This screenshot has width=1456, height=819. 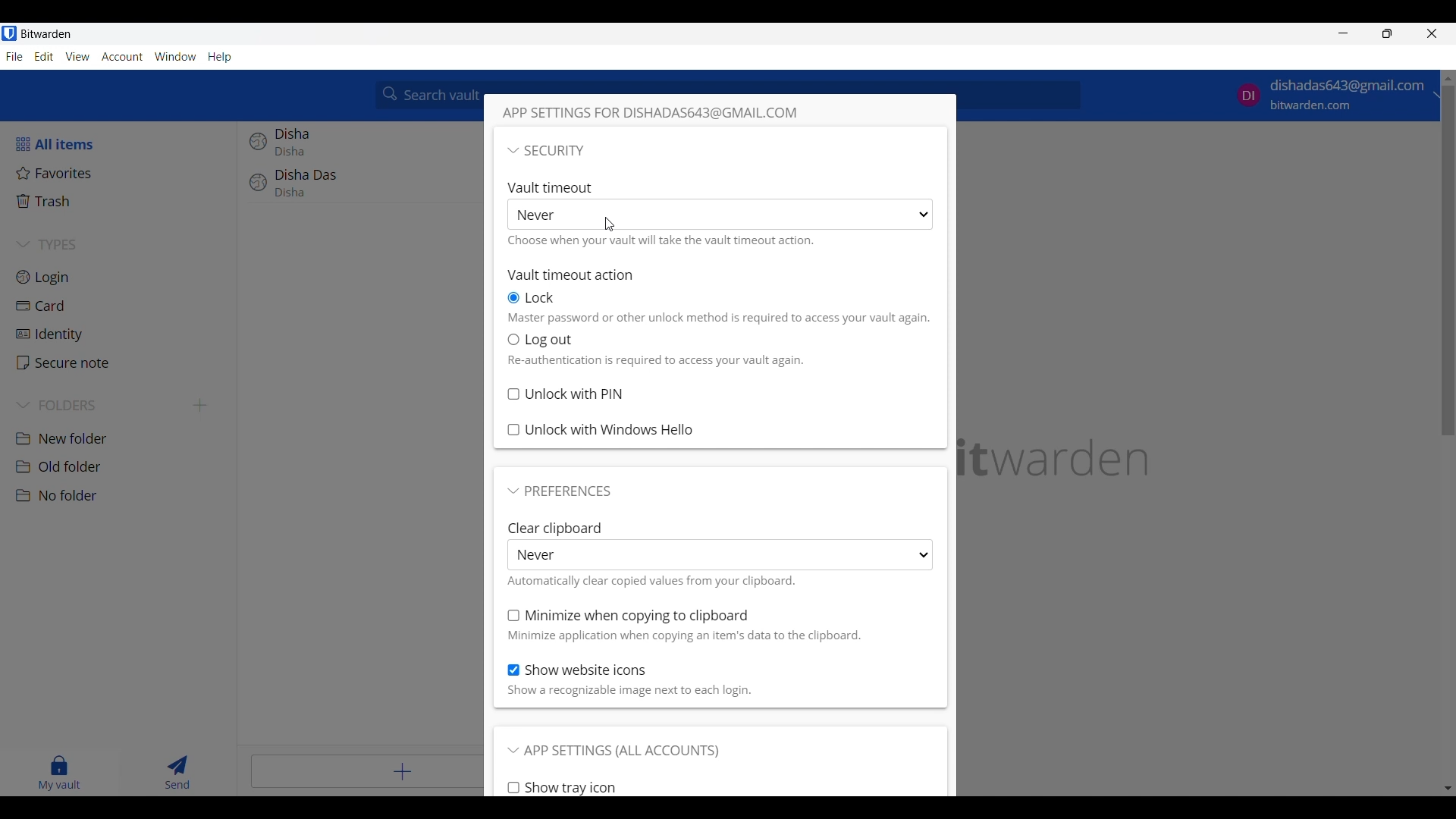 I want to click on Vault timeout action, subsection, so click(x=573, y=275).